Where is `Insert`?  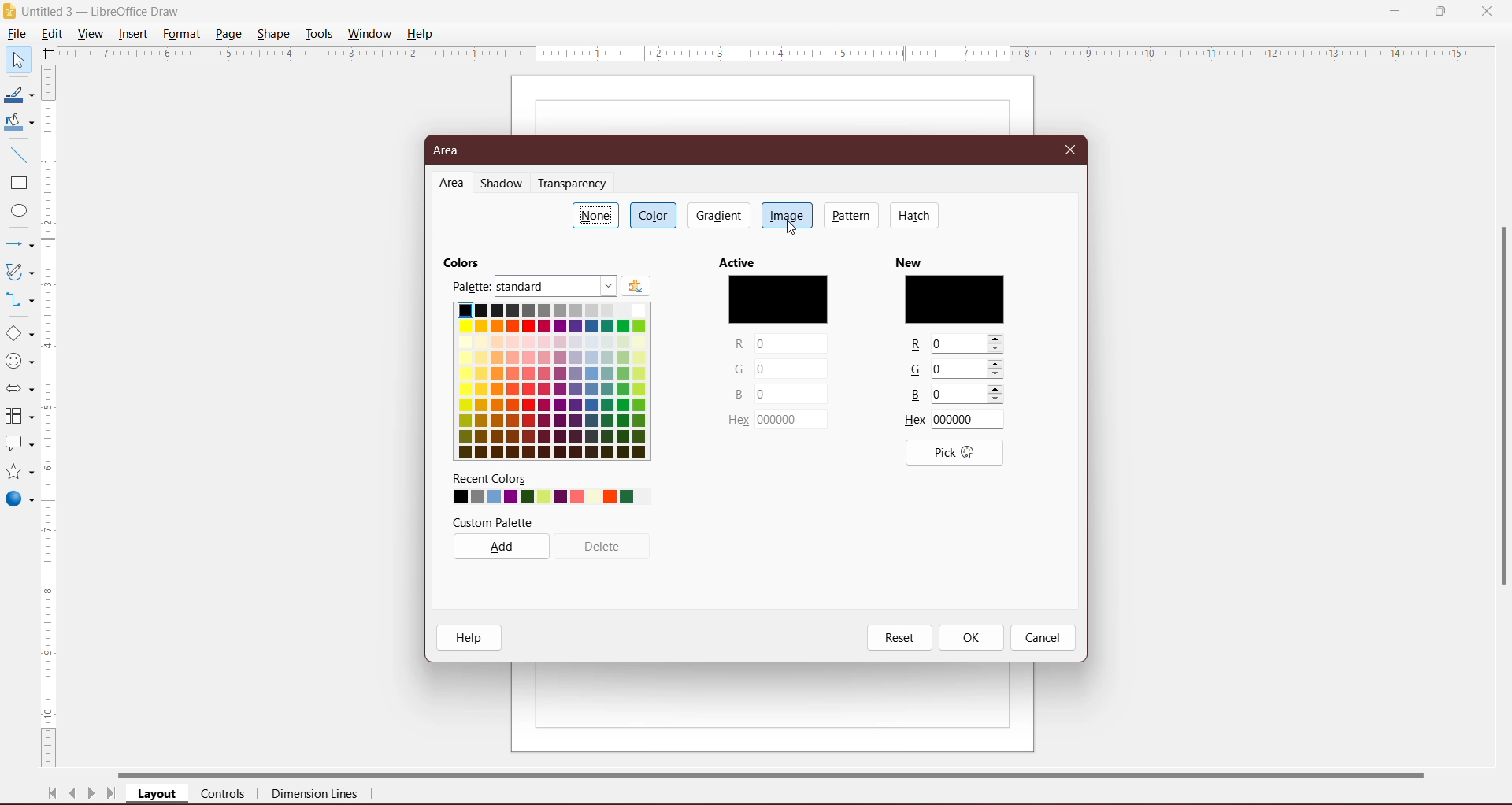
Insert is located at coordinates (134, 34).